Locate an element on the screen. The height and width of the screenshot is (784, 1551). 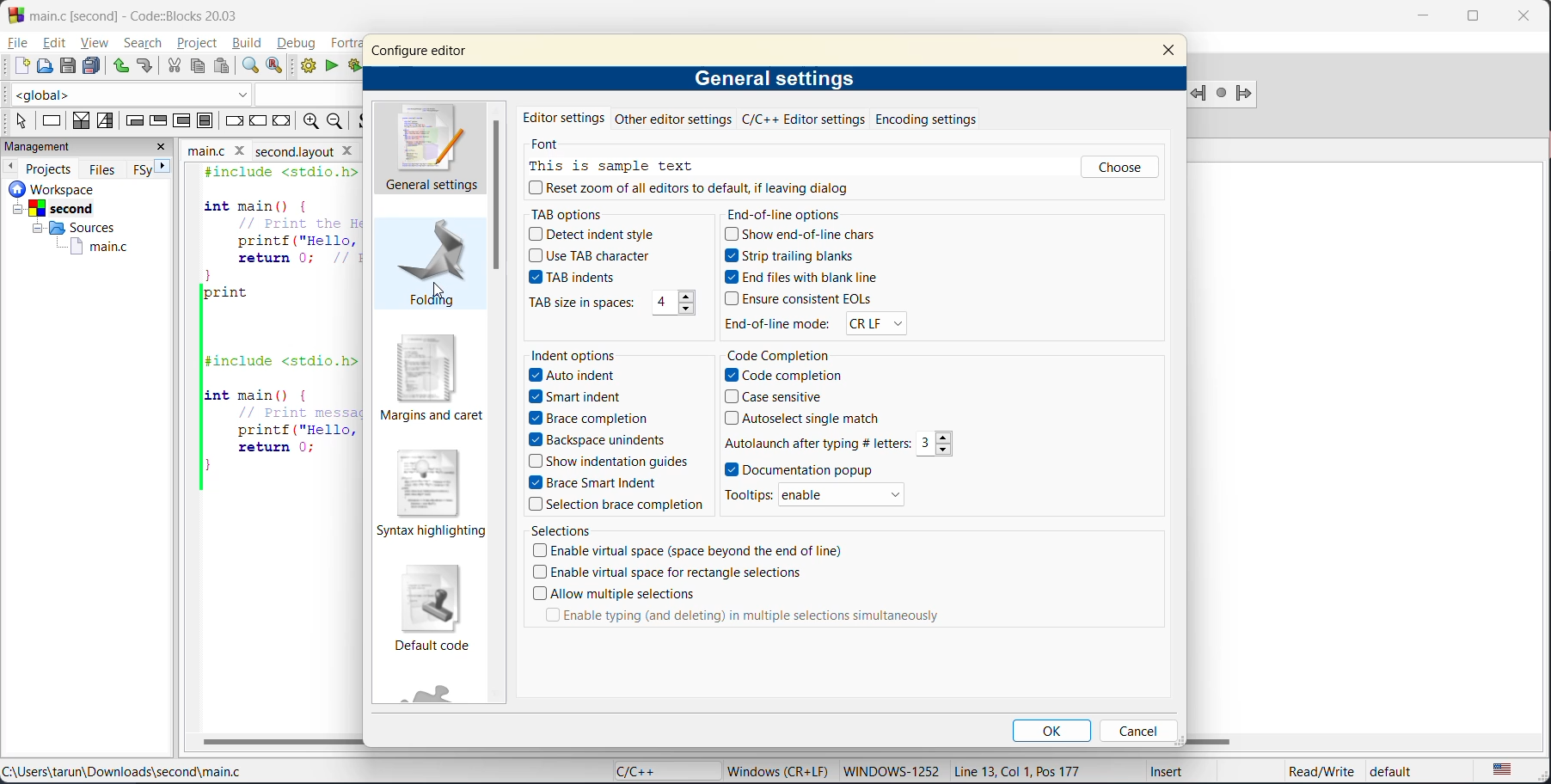
toggle source is located at coordinates (366, 122).